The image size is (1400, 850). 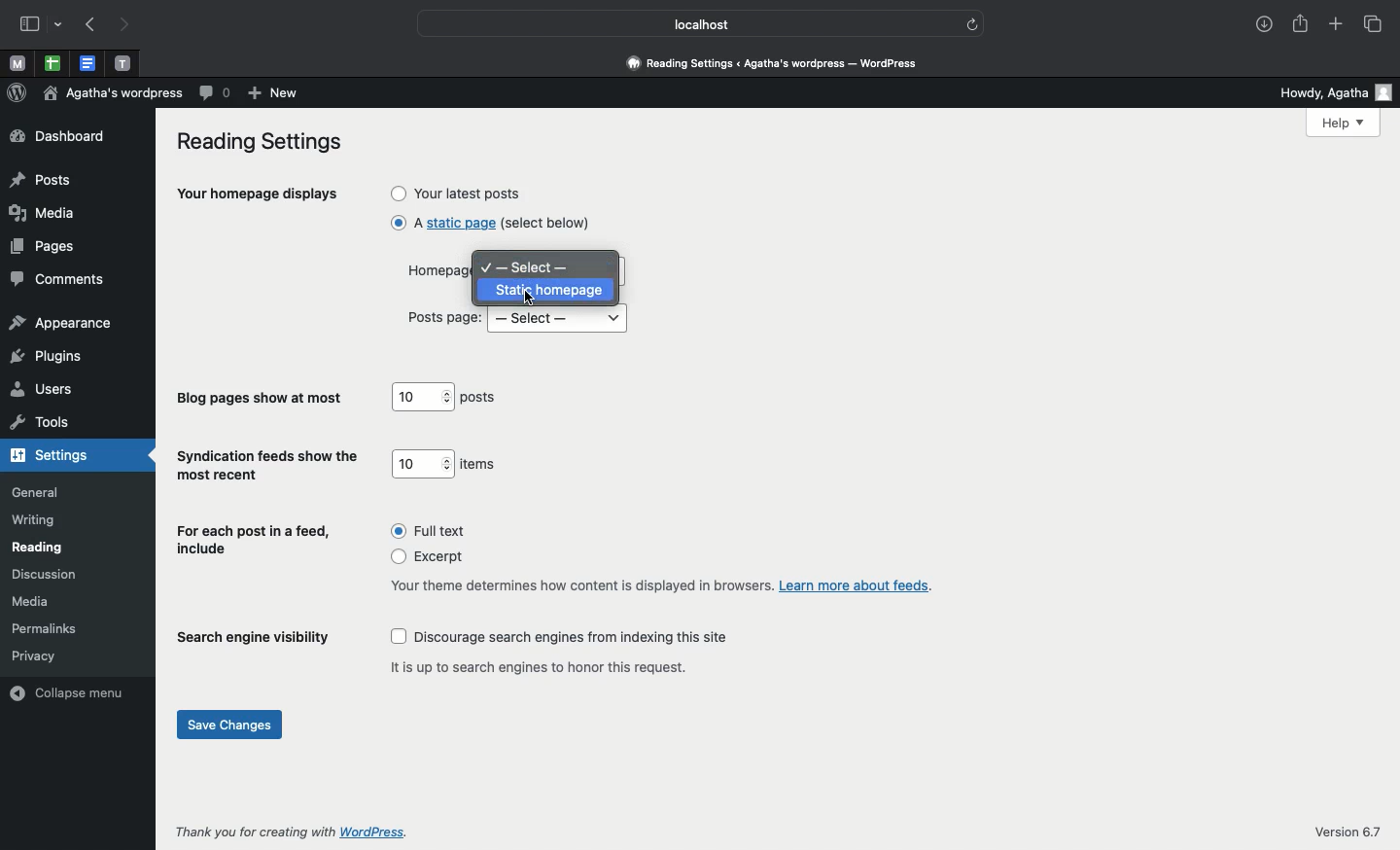 What do you see at coordinates (422, 397) in the screenshot?
I see `10` at bounding box center [422, 397].